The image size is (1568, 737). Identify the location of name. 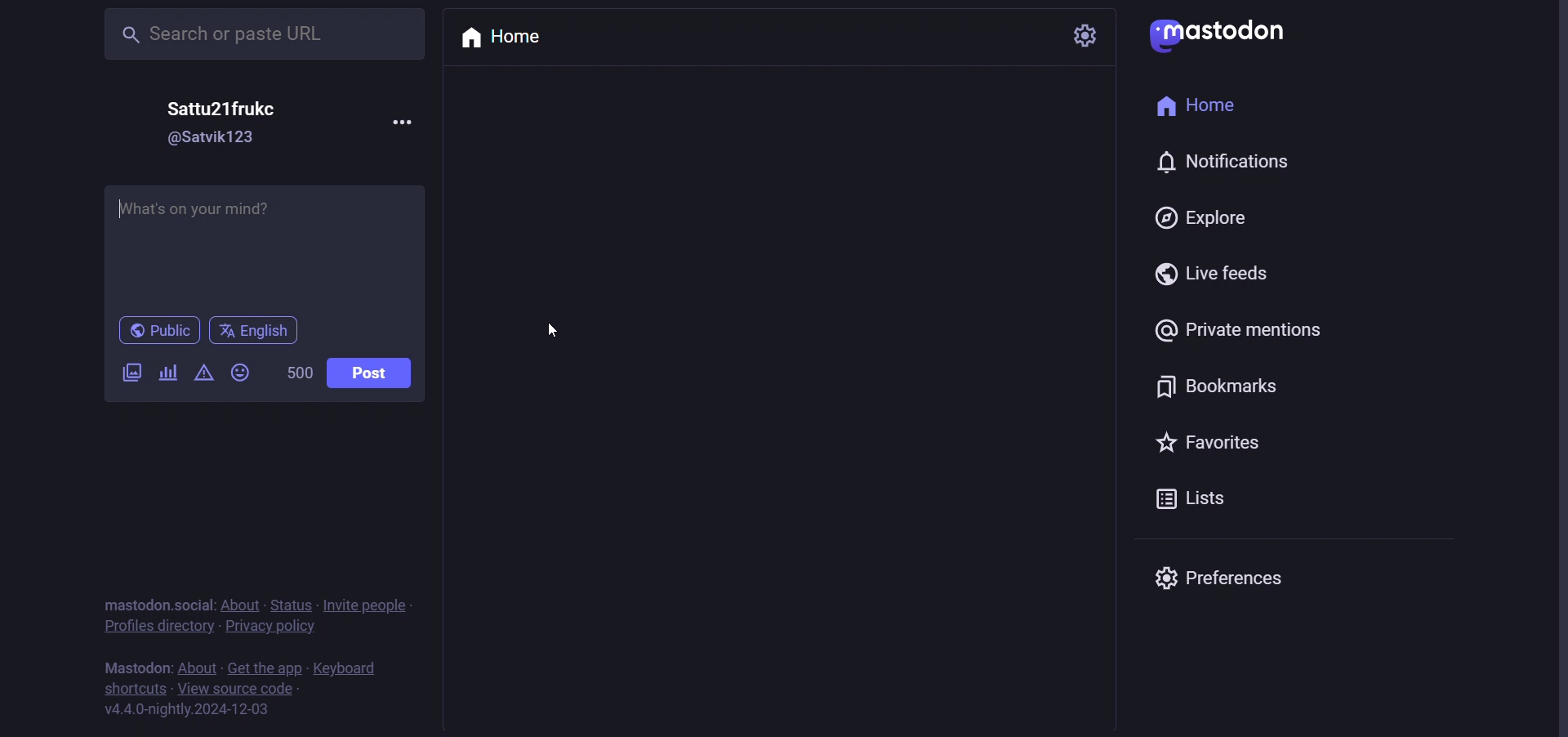
(221, 109).